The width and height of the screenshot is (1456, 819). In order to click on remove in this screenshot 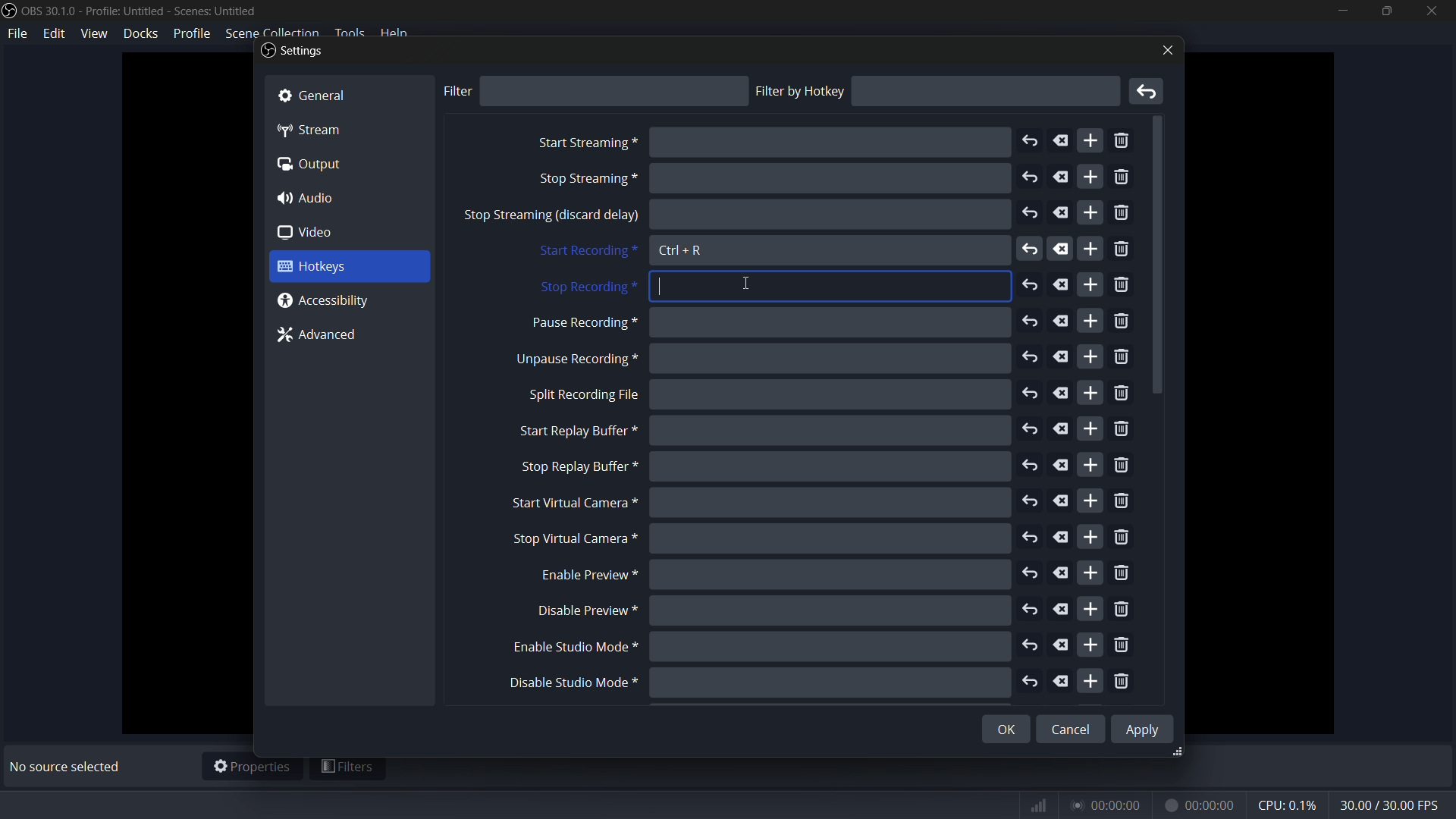, I will do `click(1125, 573)`.